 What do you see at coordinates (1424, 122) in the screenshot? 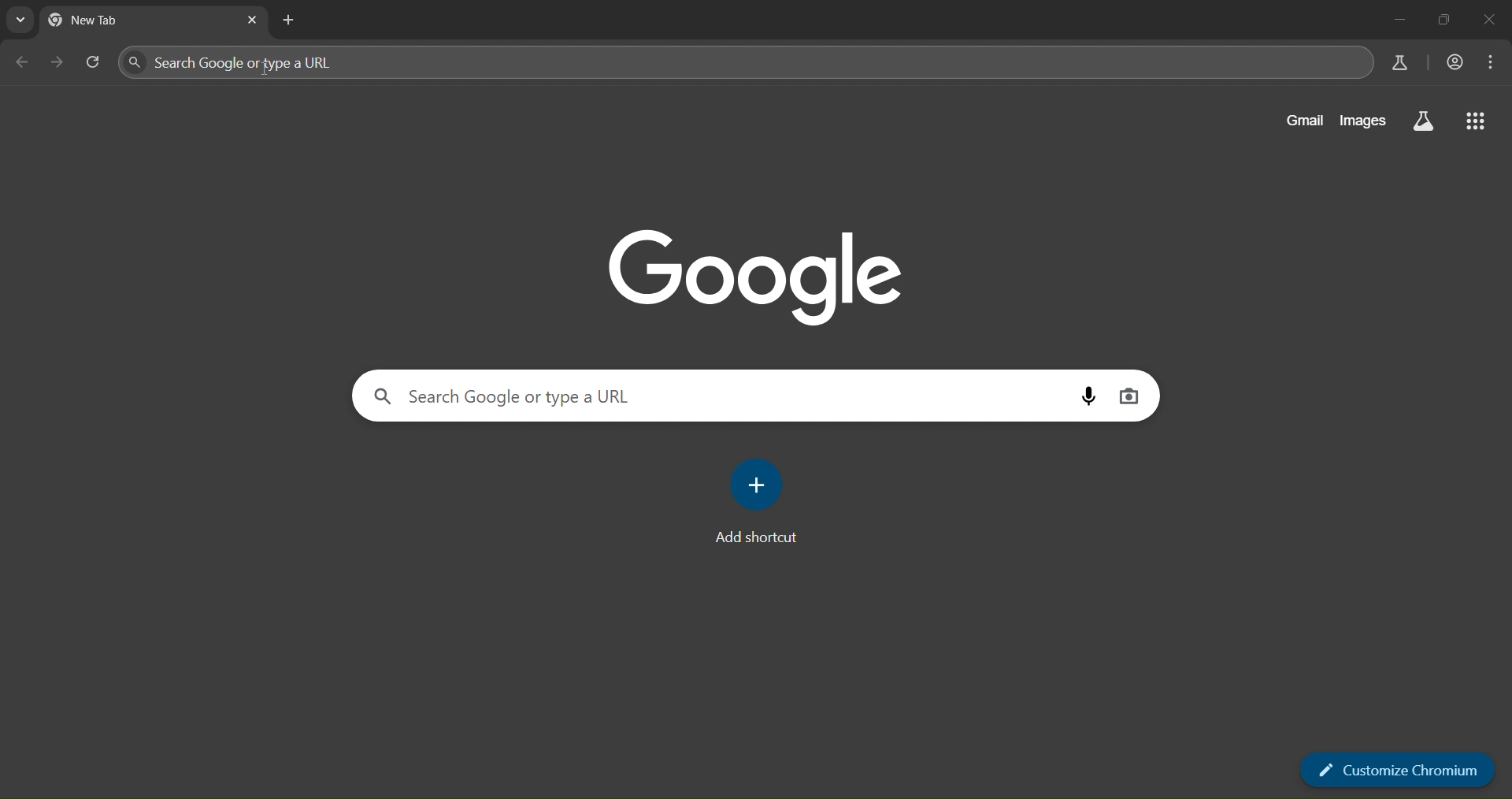
I see `search labs` at bounding box center [1424, 122].